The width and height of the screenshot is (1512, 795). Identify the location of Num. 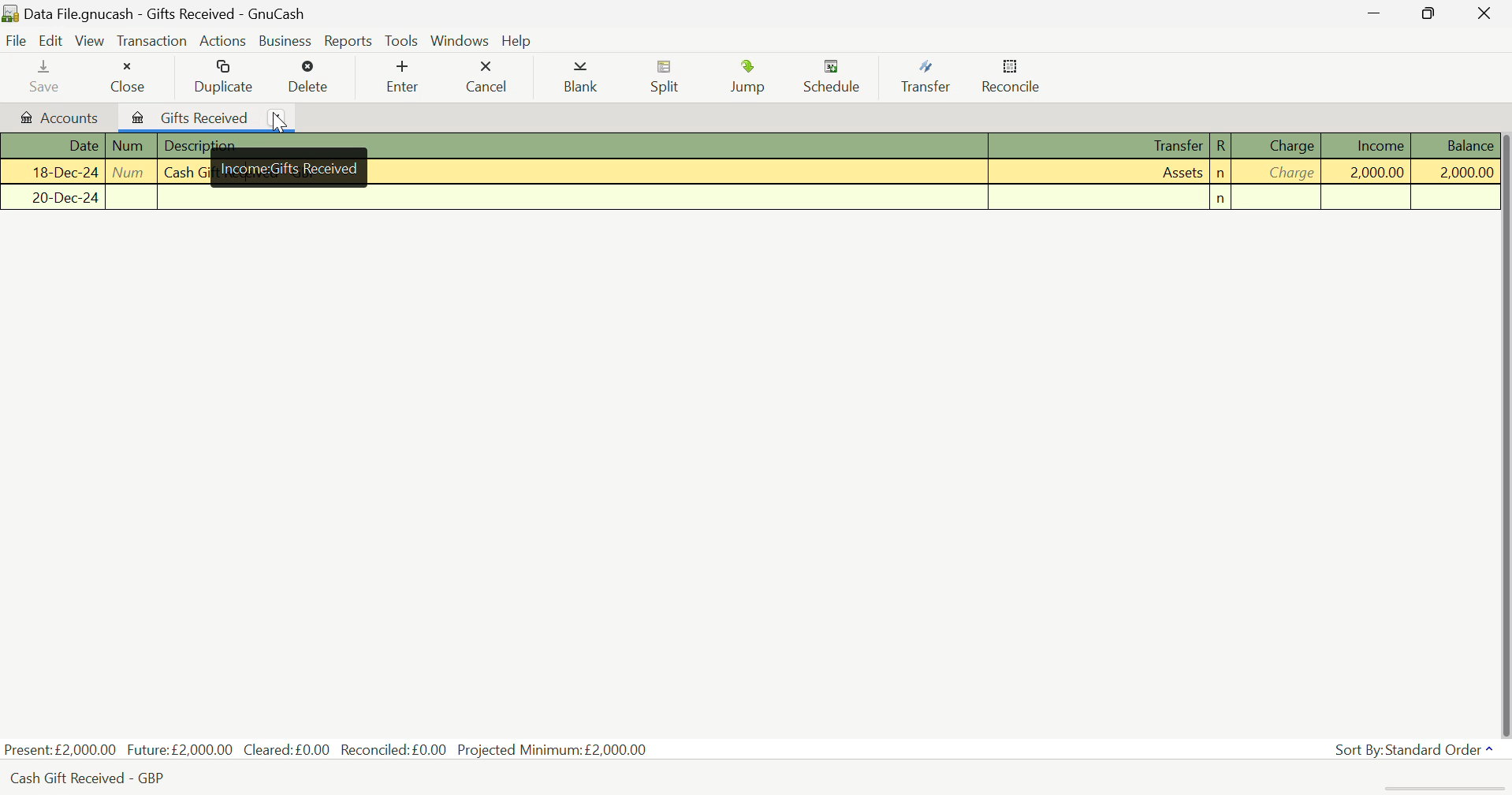
(132, 146).